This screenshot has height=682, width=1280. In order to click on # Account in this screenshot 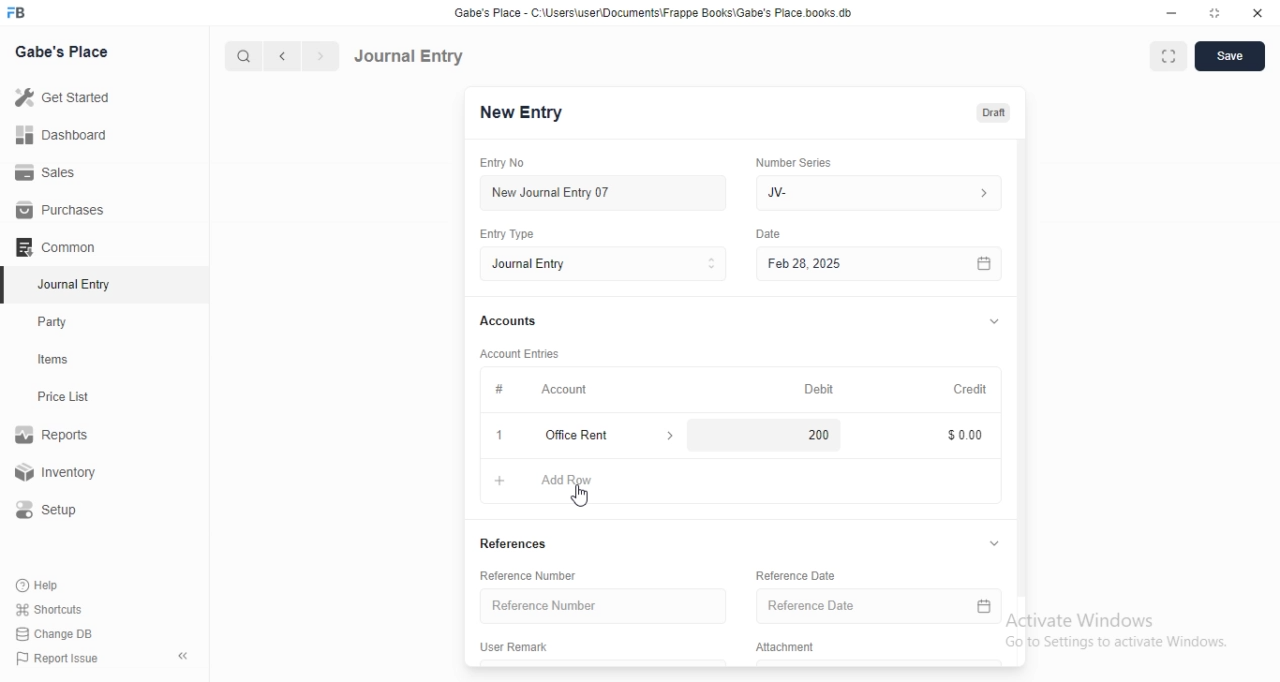, I will do `click(538, 390)`.